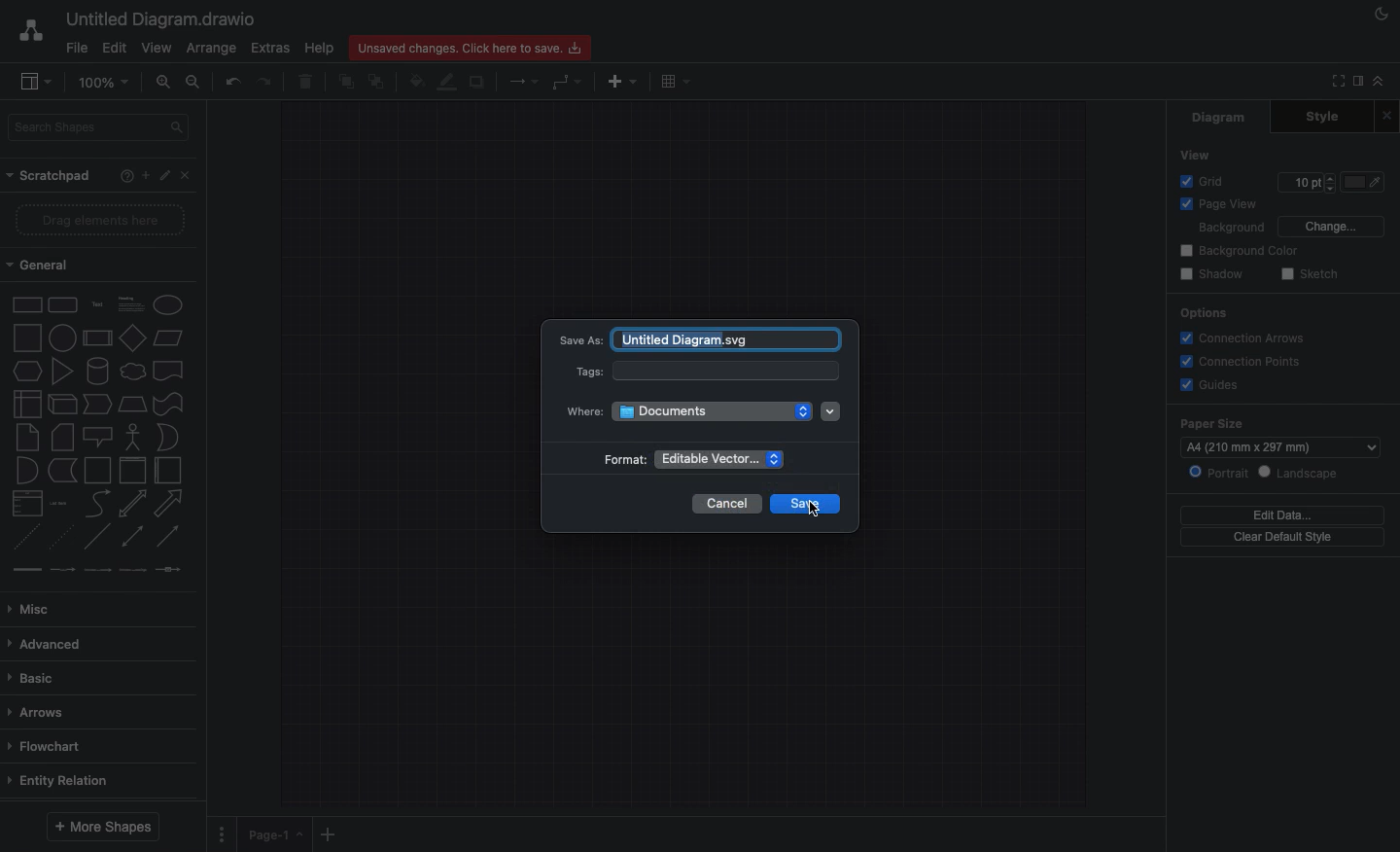 The height and width of the screenshot is (852, 1400). What do you see at coordinates (1307, 183) in the screenshot?
I see `Size 10pt` at bounding box center [1307, 183].